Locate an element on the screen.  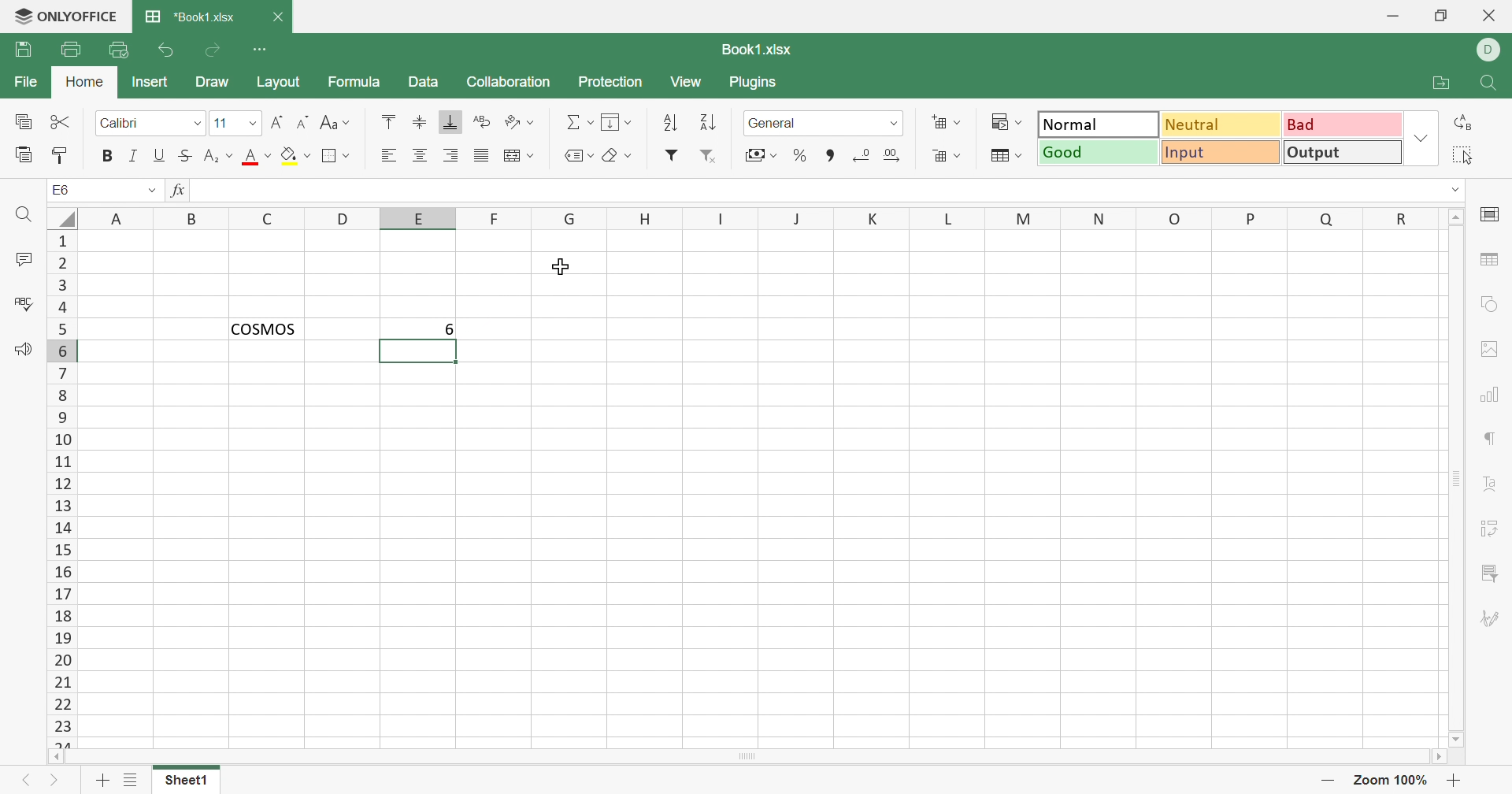
DELL is located at coordinates (1488, 50).